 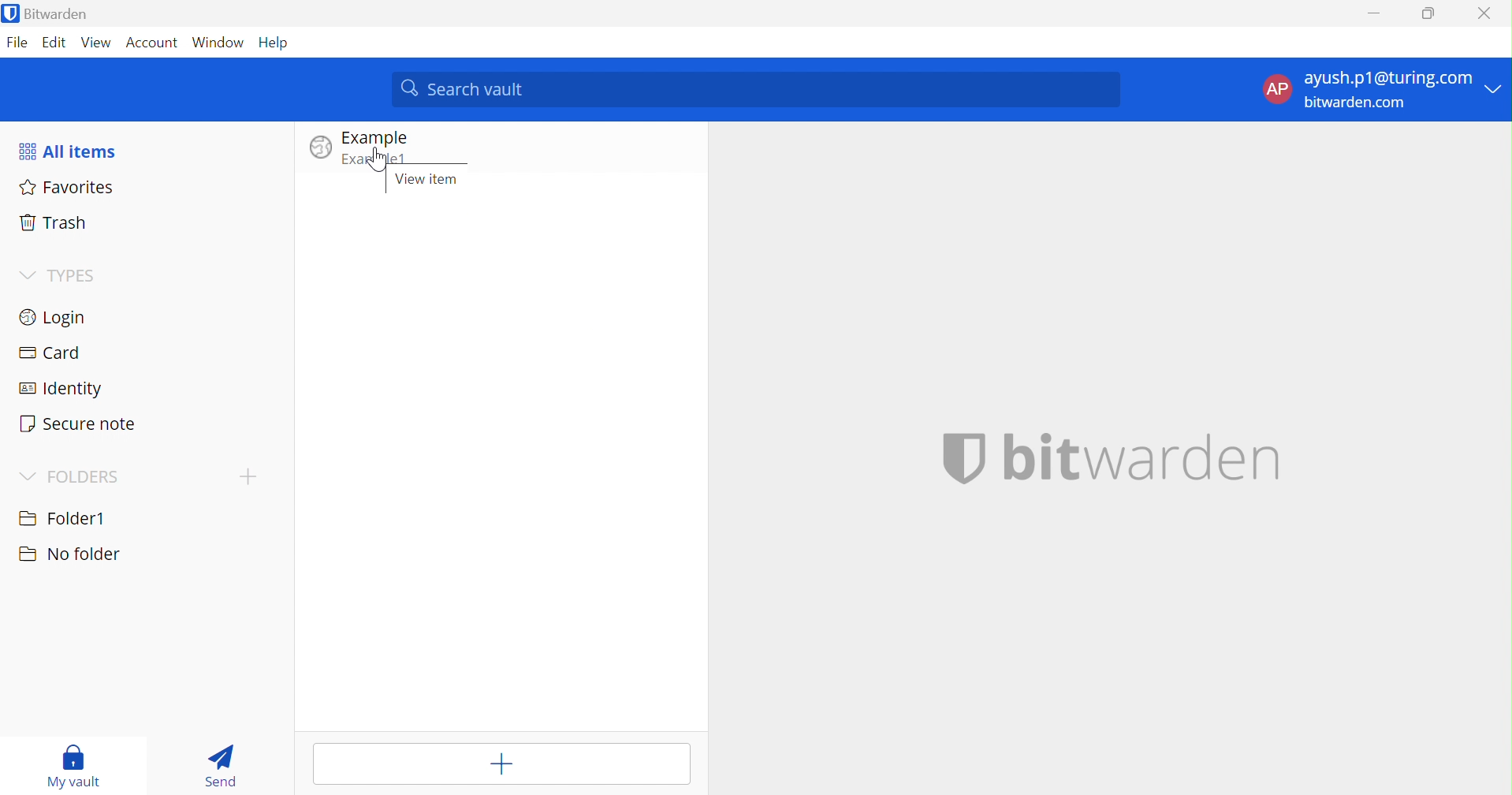 What do you see at coordinates (56, 42) in the screenshot?
I see `Edit` at bounding box center [56, 42].